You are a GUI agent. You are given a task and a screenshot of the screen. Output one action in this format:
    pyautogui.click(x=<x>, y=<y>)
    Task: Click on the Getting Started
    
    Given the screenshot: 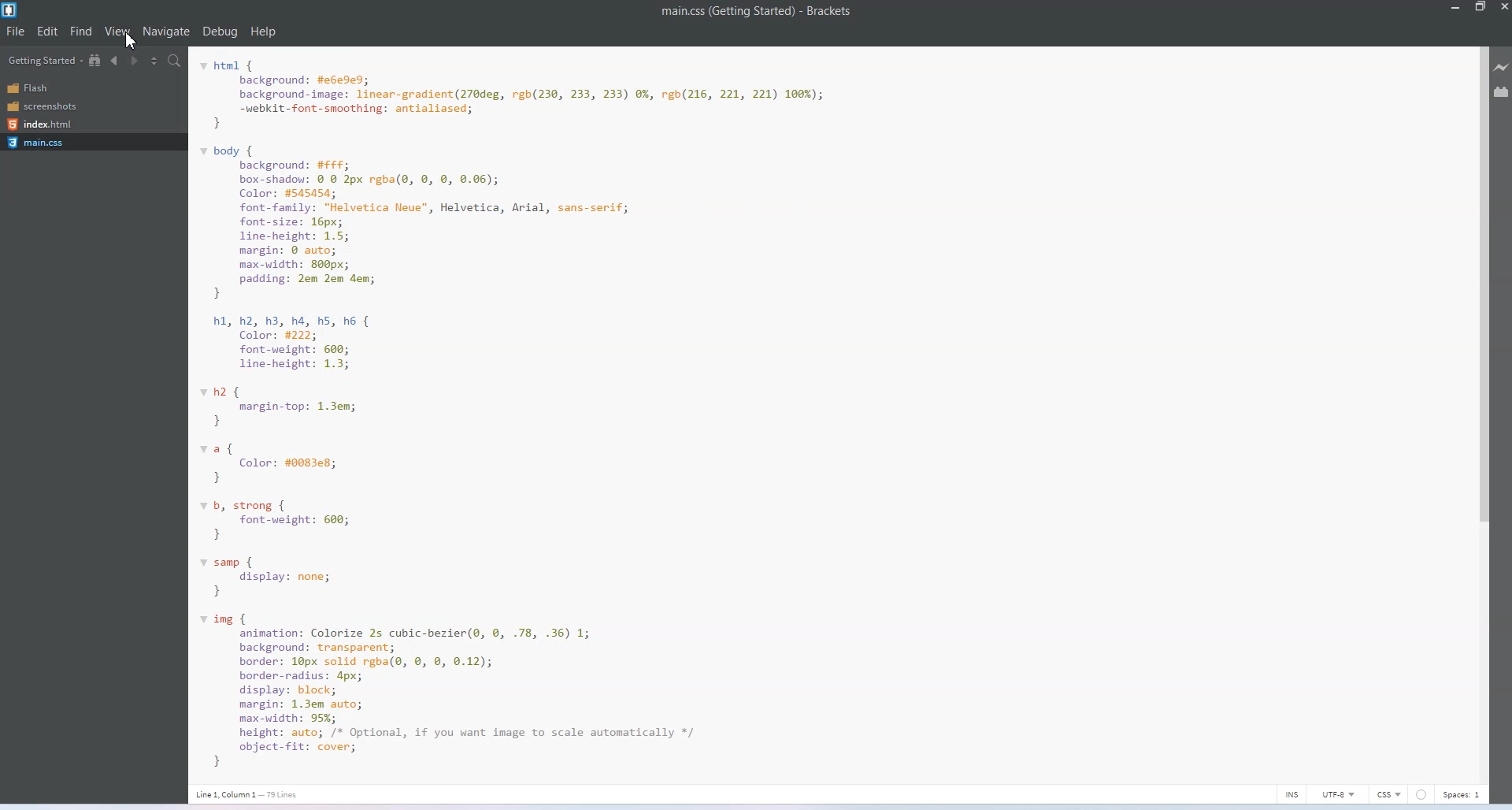 What is the action you would take?
    pyautogui.click(x=46, y=61)
    